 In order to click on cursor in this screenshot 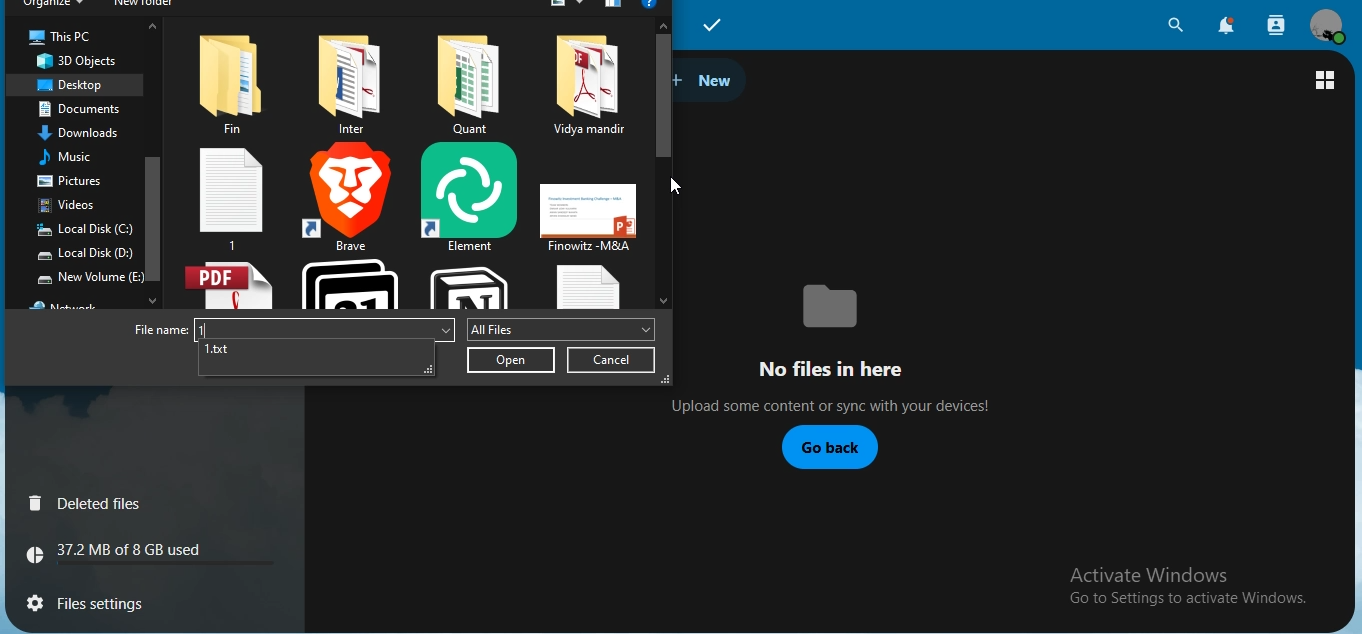, I will do `click(675, 187)`.